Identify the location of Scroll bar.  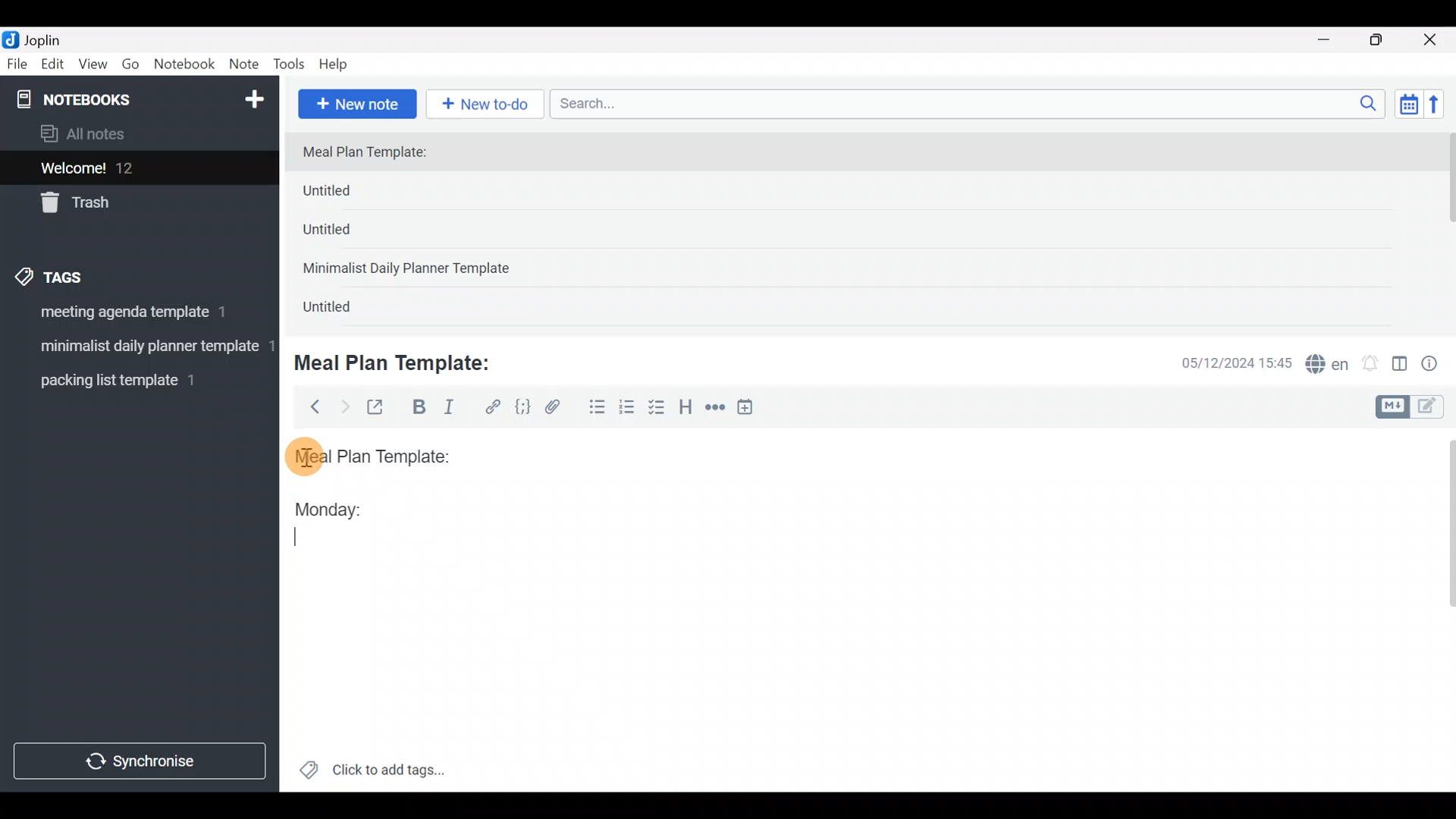
(1447, 229).